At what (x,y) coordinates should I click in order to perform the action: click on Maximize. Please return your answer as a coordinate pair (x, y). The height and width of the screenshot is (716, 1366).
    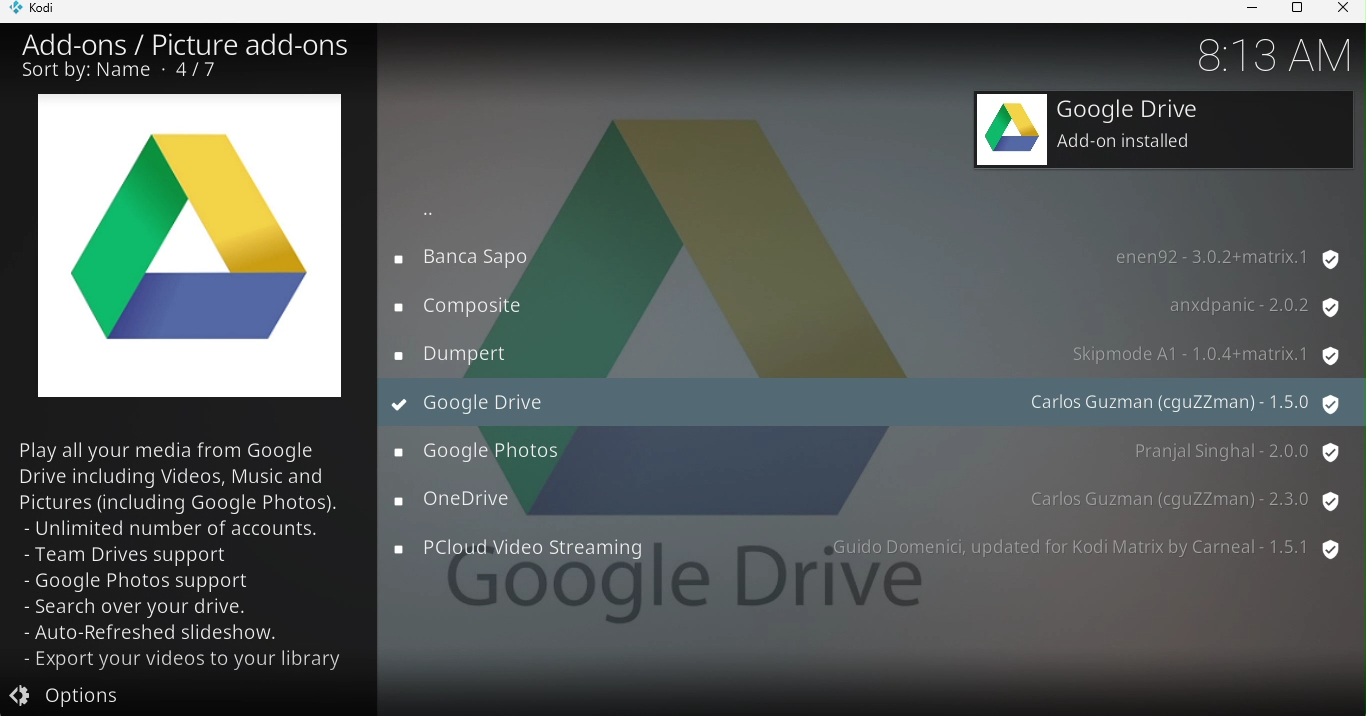
    Looking at the image, I should click on (1293, 11).